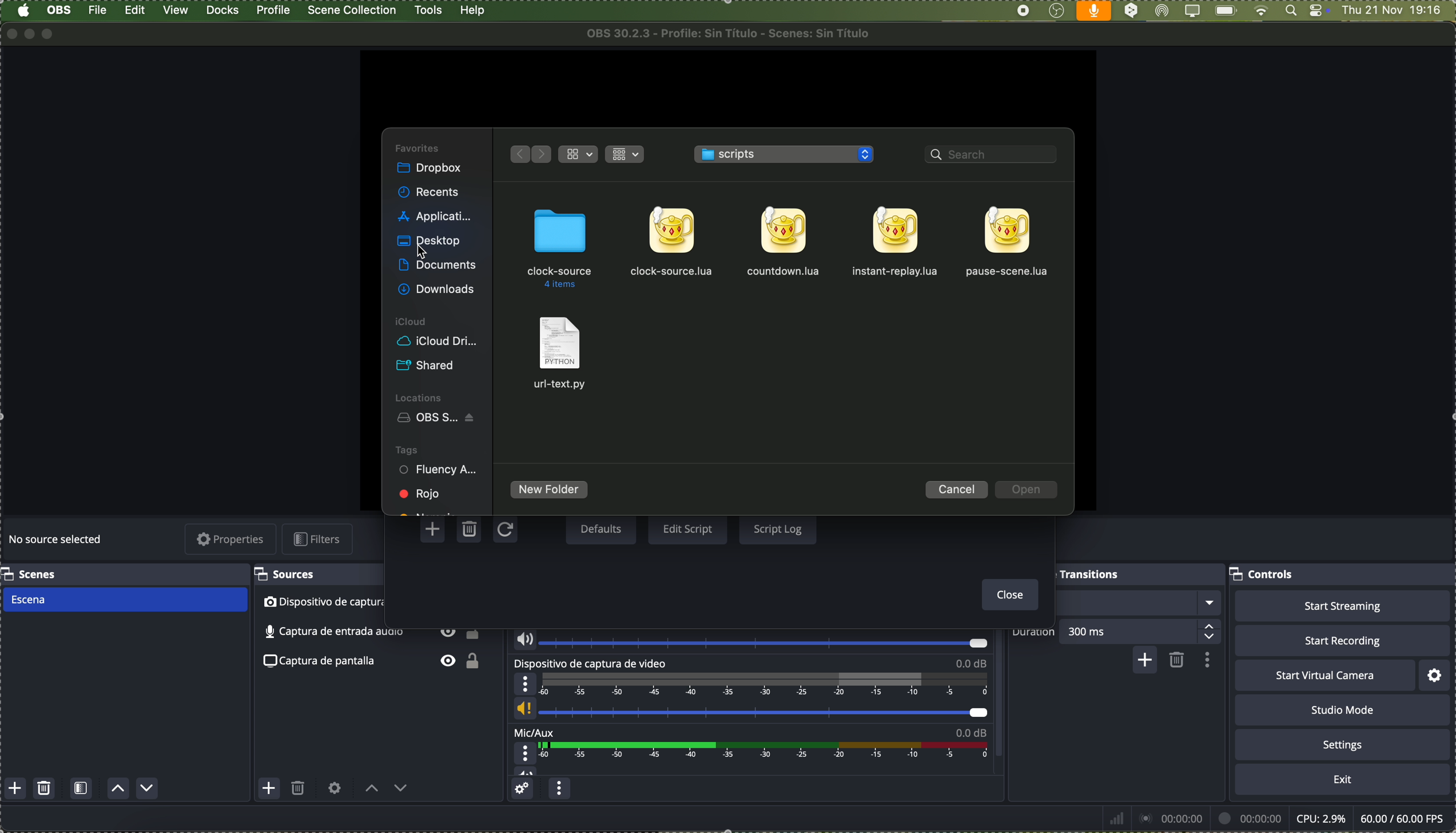 This screenshot has width=1456, height=833. What do you see at coordinates (1264, 576) in the screenshot?
I see `controls` at bounding box center [1264, 576].